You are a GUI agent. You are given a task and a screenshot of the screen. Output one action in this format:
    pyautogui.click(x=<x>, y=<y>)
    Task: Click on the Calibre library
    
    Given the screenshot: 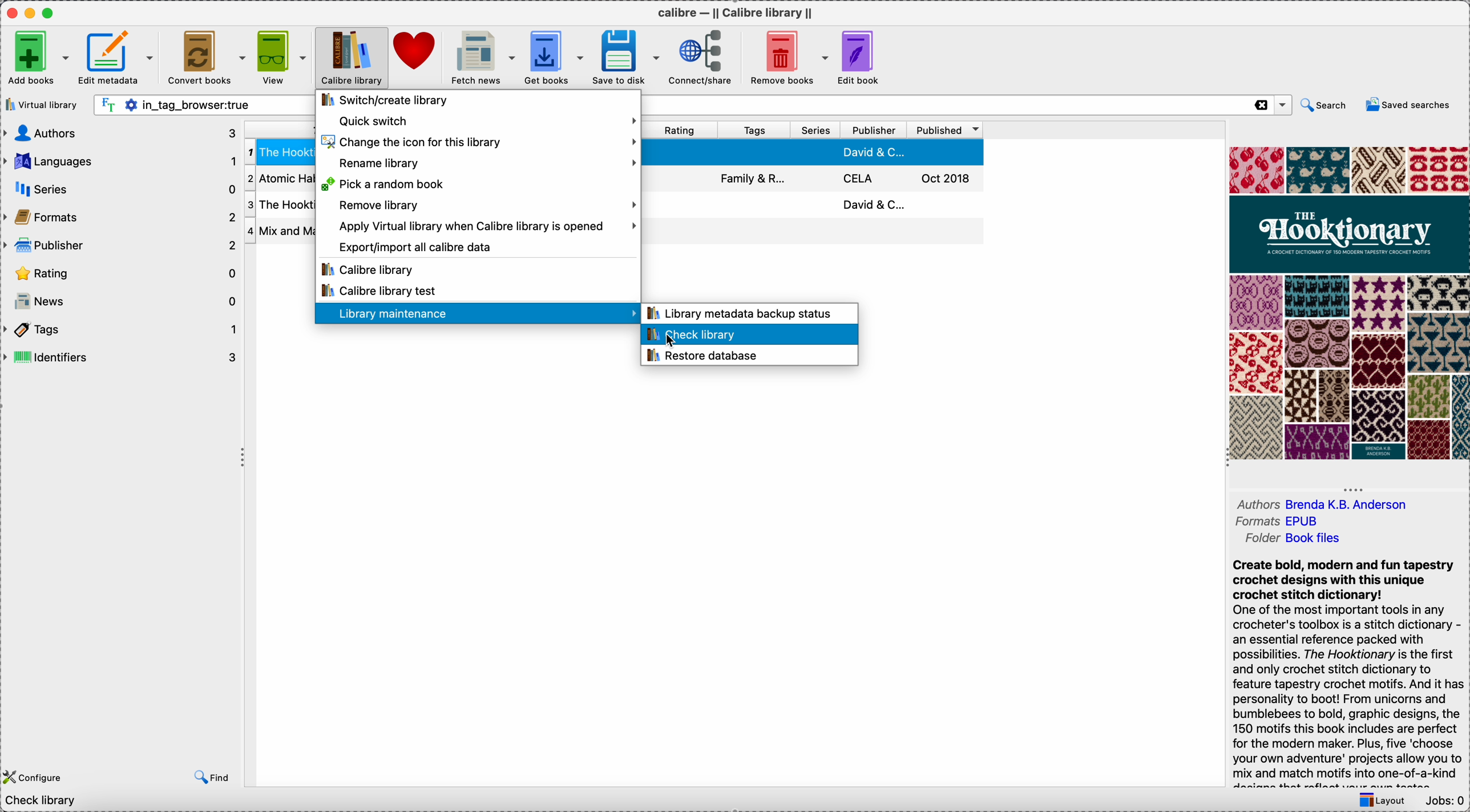 What is the action you would take?
    pyautogui.click(x=370, y=268)
    